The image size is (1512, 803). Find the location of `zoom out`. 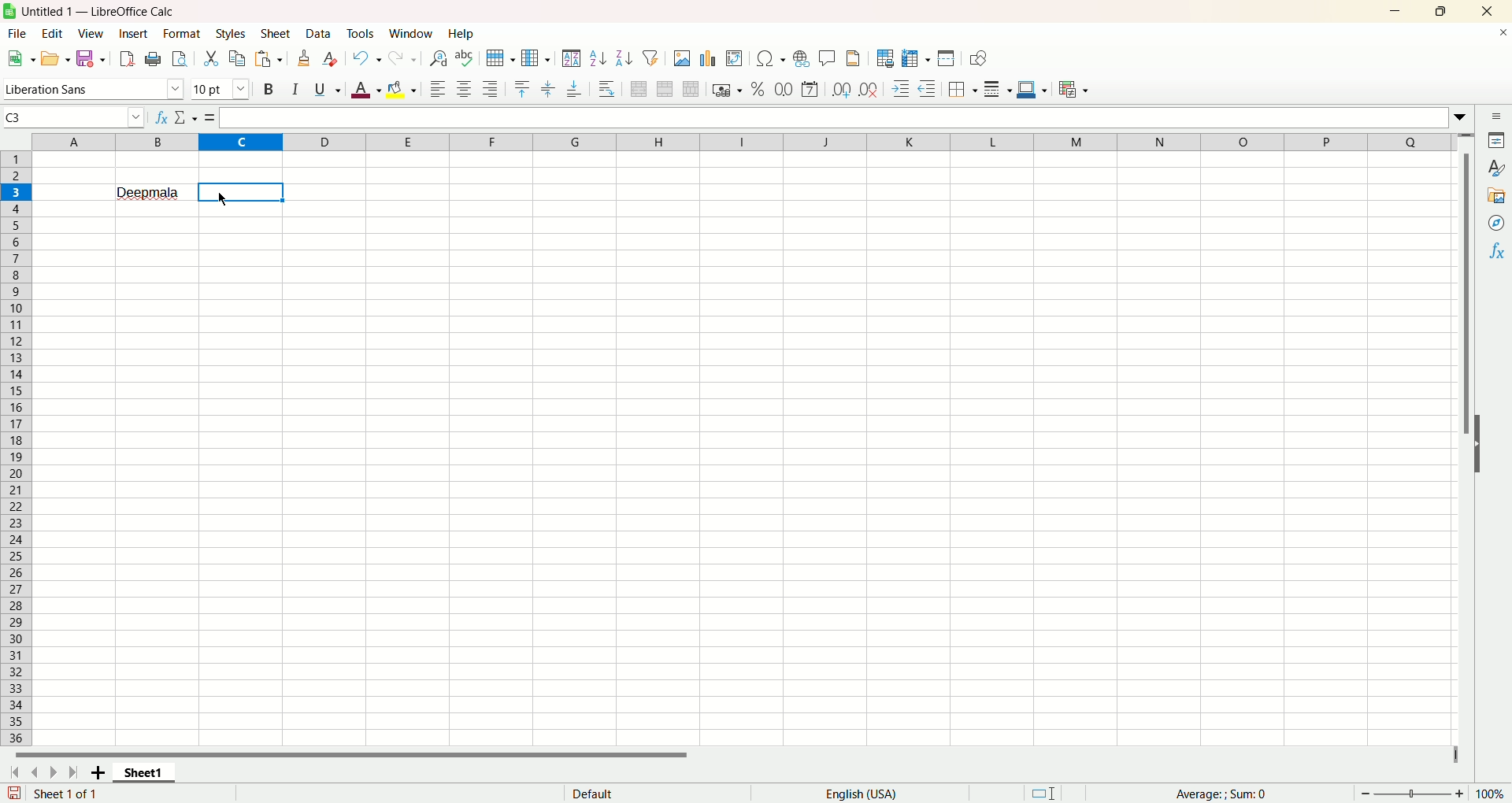

zoom out is located at coordinates (1366, 793).